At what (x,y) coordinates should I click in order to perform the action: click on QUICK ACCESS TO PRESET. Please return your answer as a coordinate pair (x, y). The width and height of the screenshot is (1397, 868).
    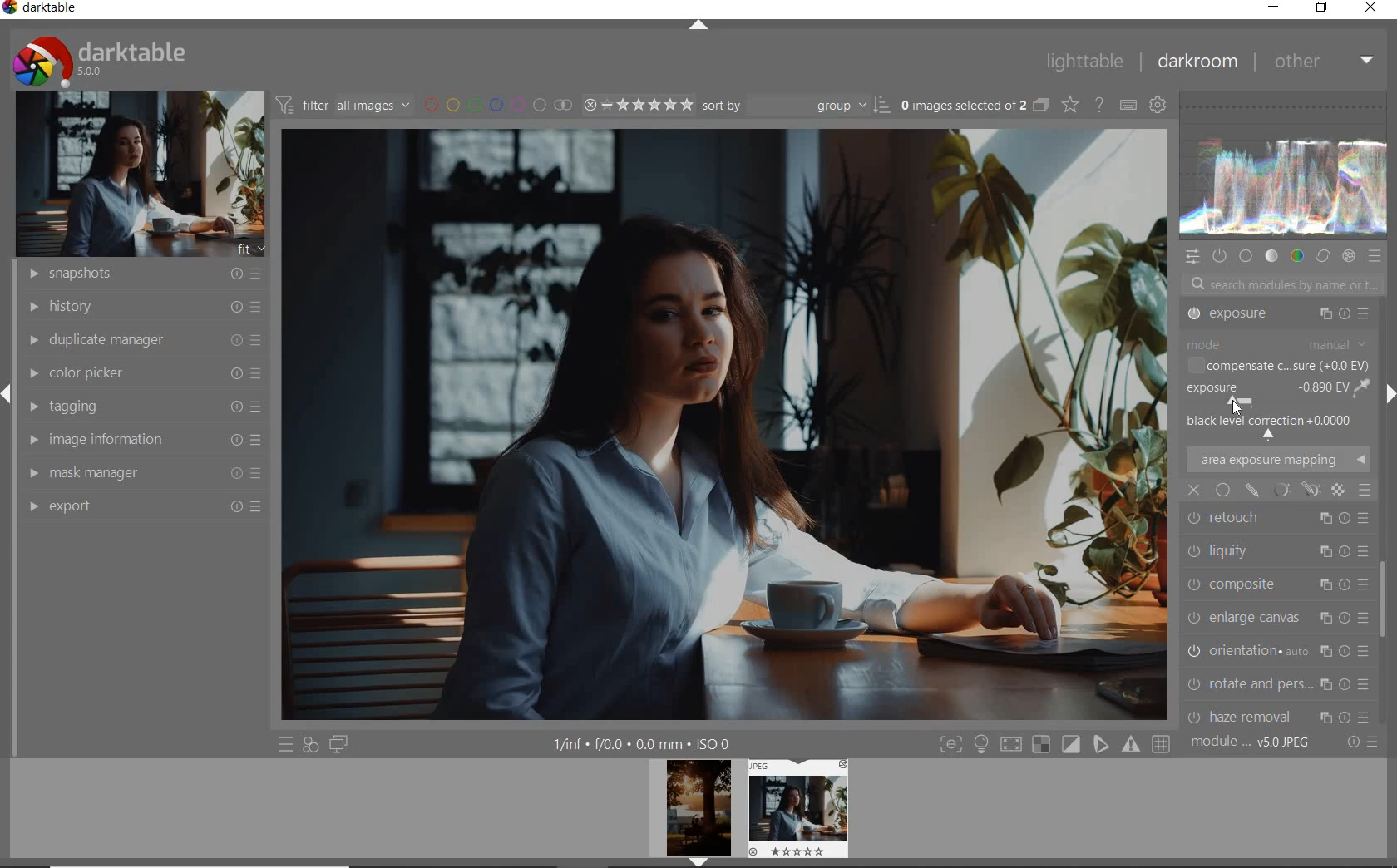
    Looking at the image, I should click on (285, 743).